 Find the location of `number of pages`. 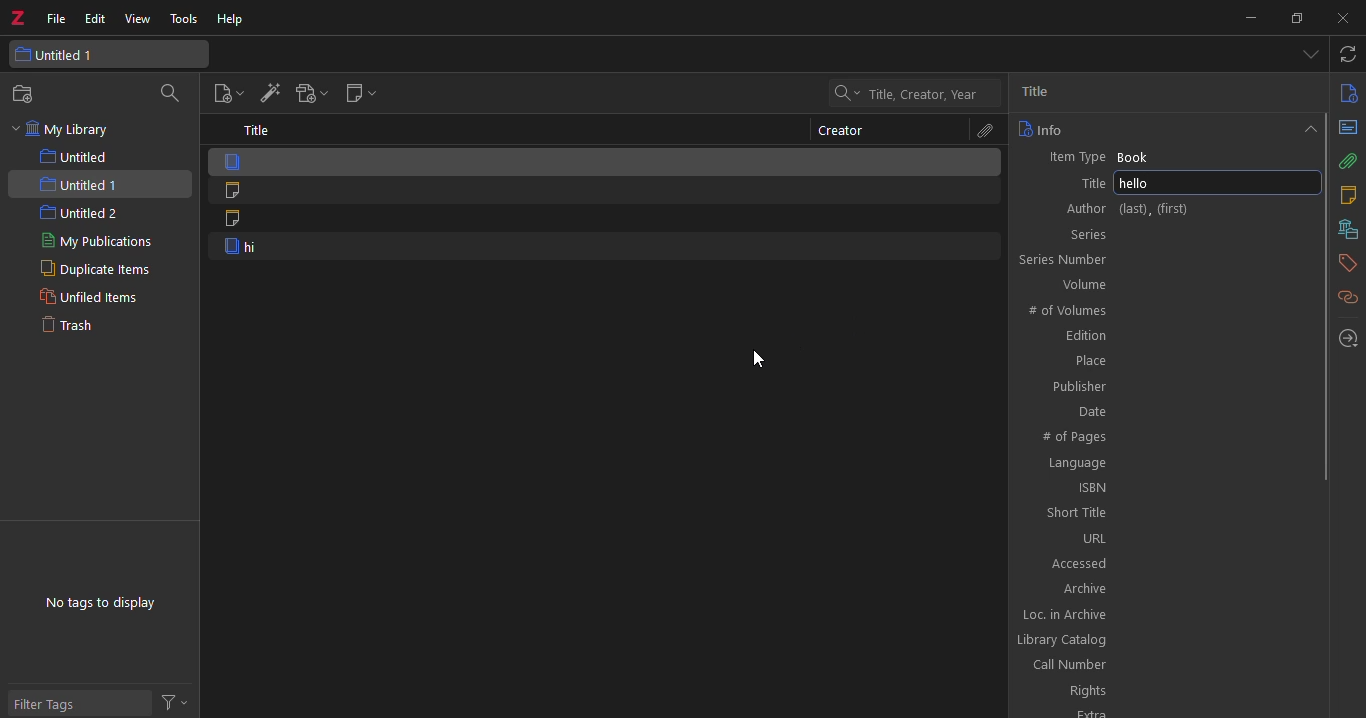

number of pages is located at coordinates (1166, 436).